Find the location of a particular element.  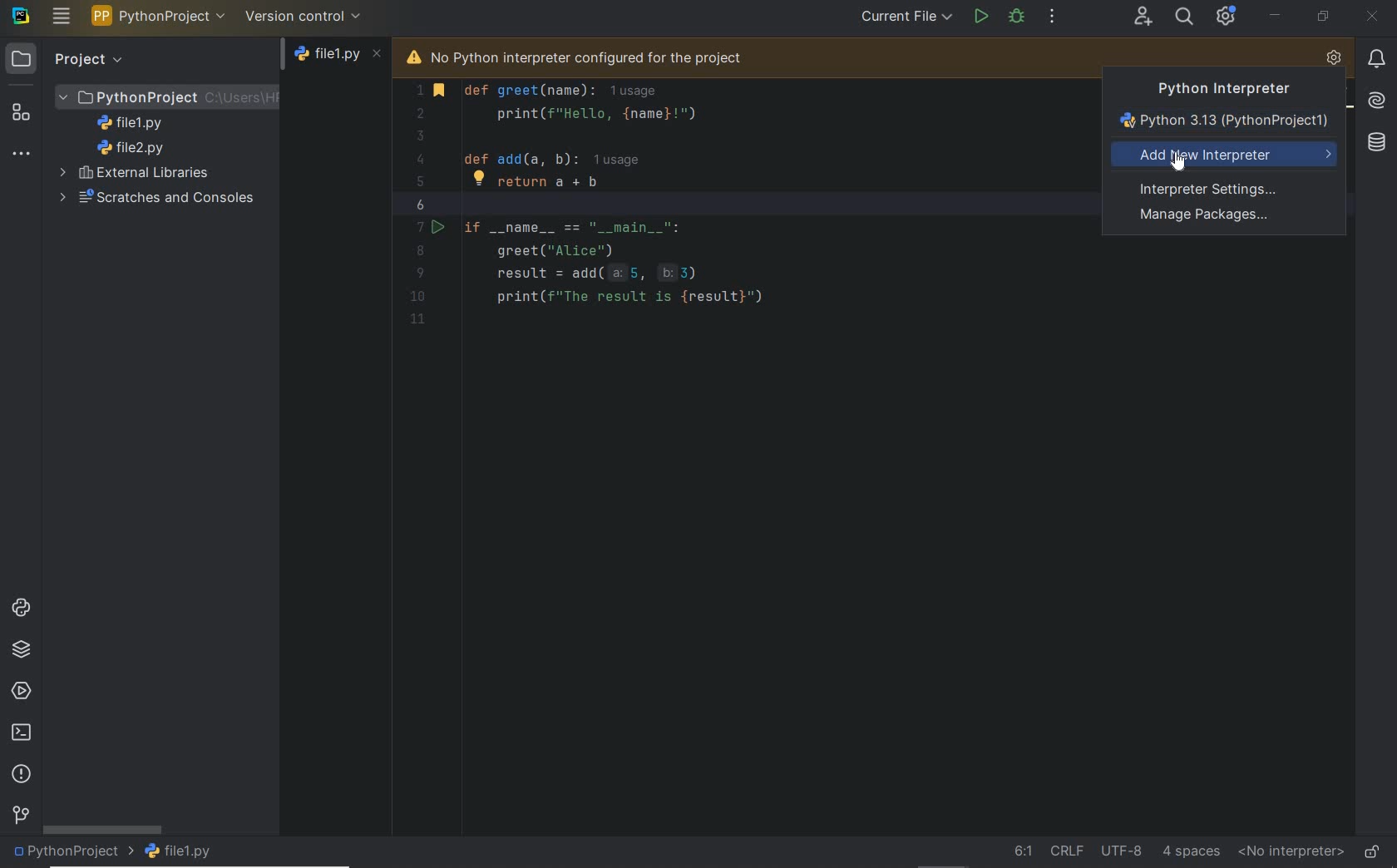

Add New Interpreter is located at coordinates (1227, 155).